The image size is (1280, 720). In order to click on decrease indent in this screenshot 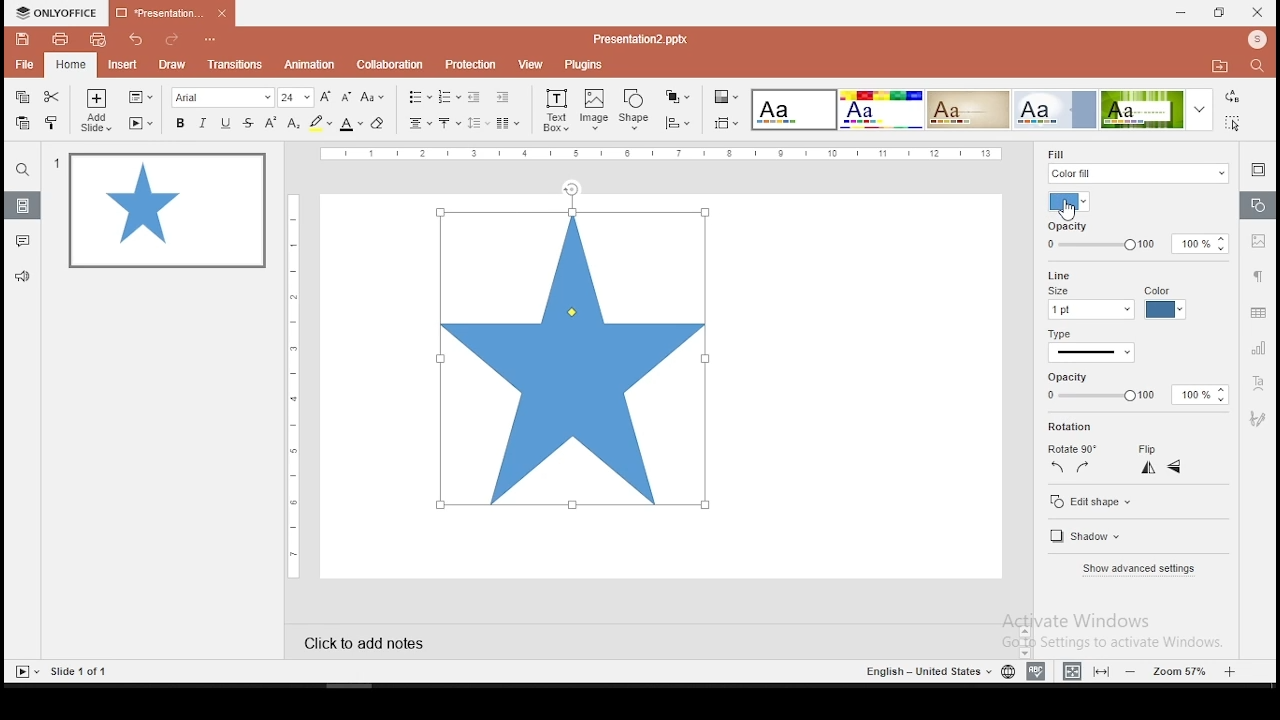, I will do `click(476, 96)`.